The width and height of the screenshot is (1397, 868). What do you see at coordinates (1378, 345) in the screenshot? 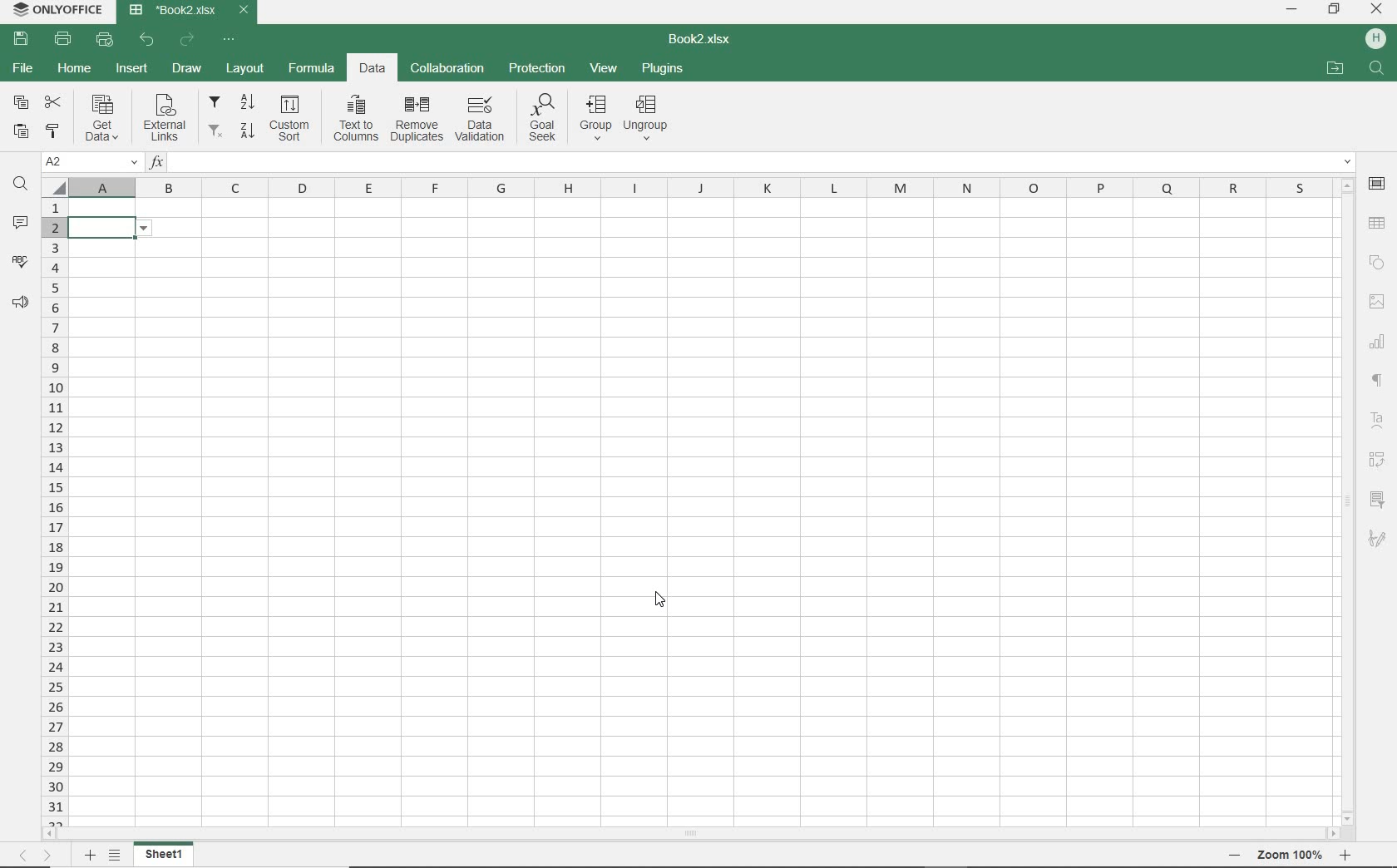
I see `CHART` at bounding box center [1378, 345].